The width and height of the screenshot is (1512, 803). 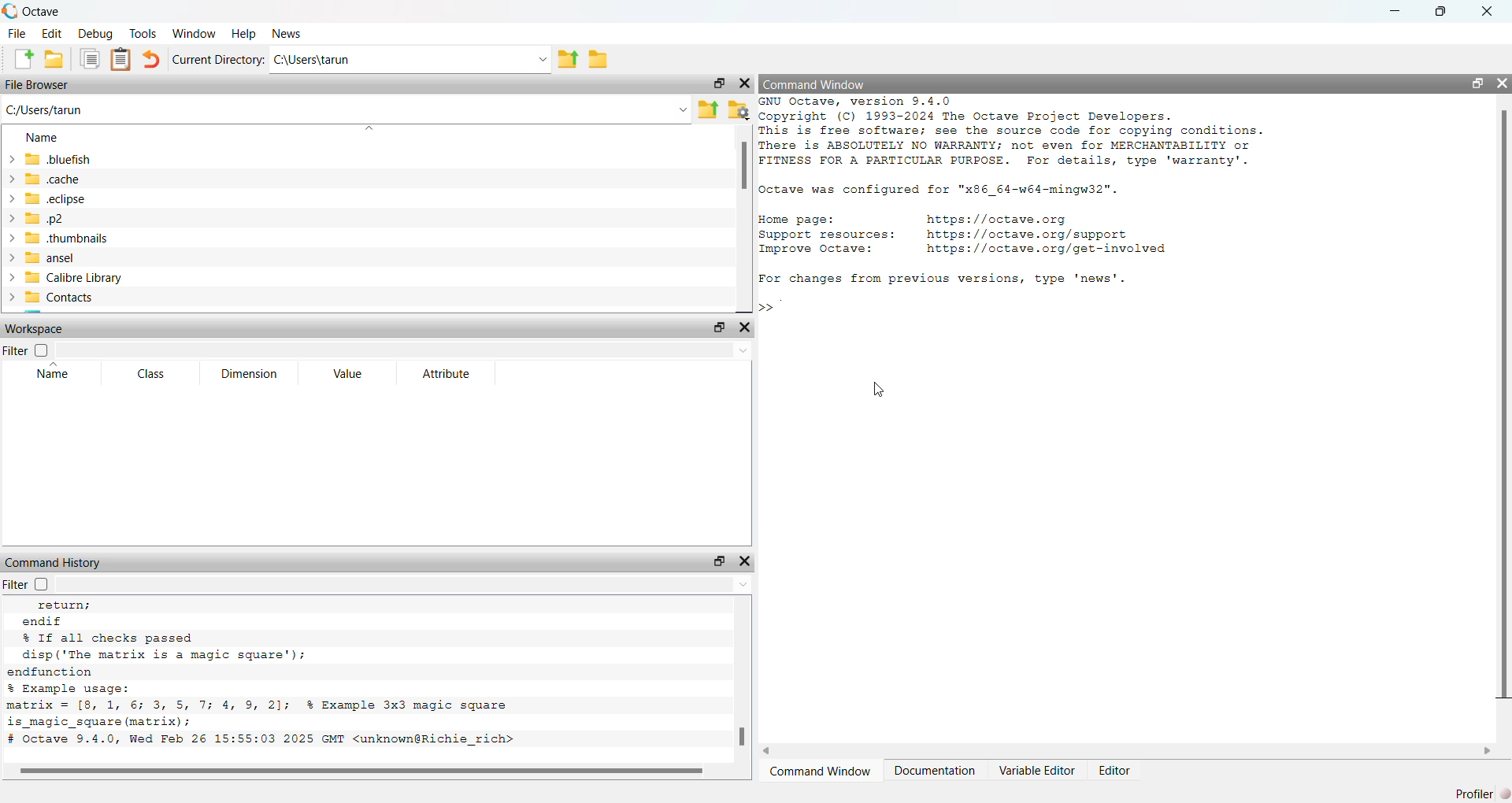 I want to click on dropdown, so click(x=743, y=583).